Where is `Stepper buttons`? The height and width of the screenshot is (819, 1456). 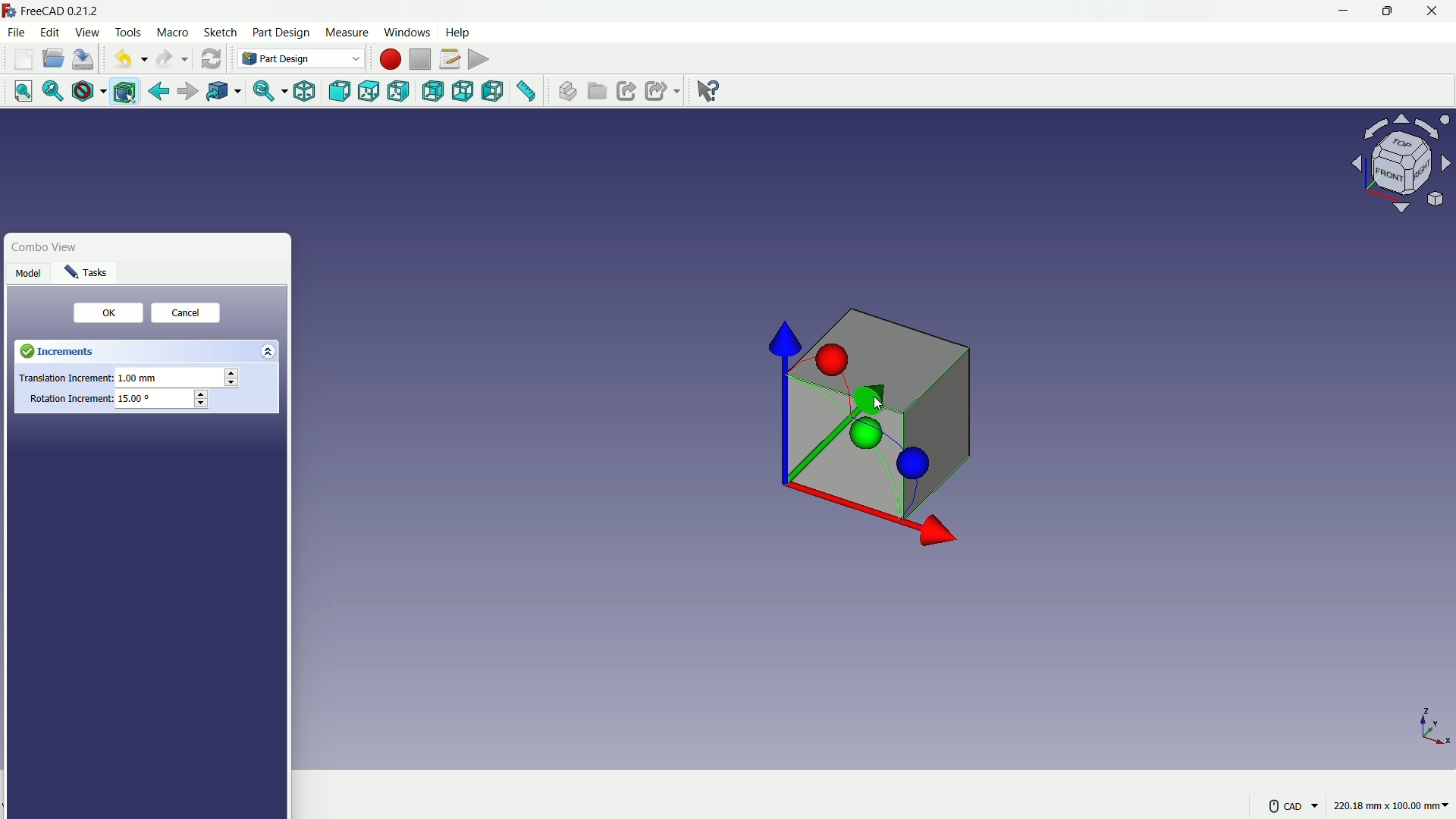 Stepper buttons is located at coordinates (202, 398).